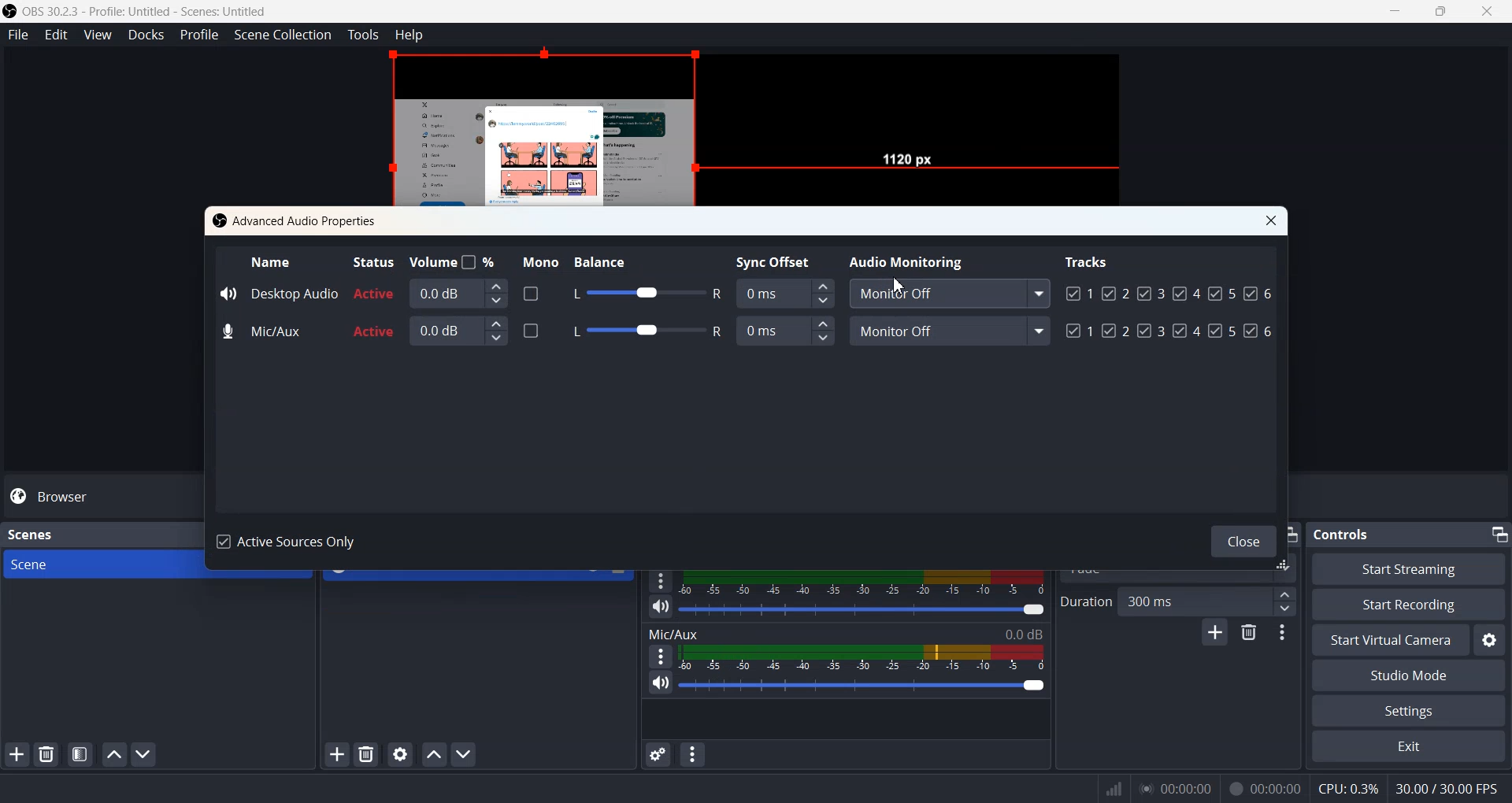  What do you see at coordinates (291, 543) in the screenshot?
I see `Active Sources Only` at bounding box center [291, 543].